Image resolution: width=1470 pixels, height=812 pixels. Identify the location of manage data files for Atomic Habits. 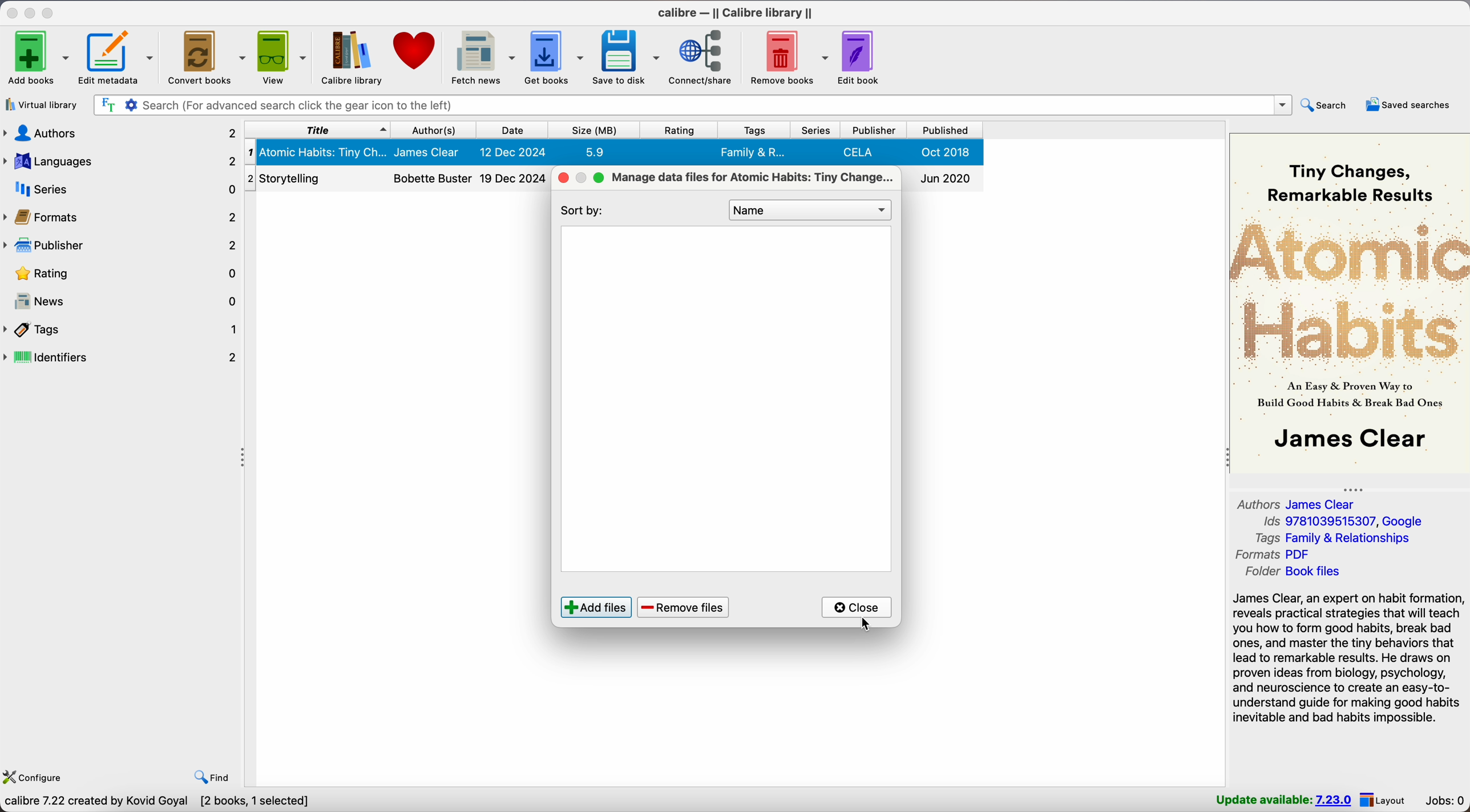
(753, 177).